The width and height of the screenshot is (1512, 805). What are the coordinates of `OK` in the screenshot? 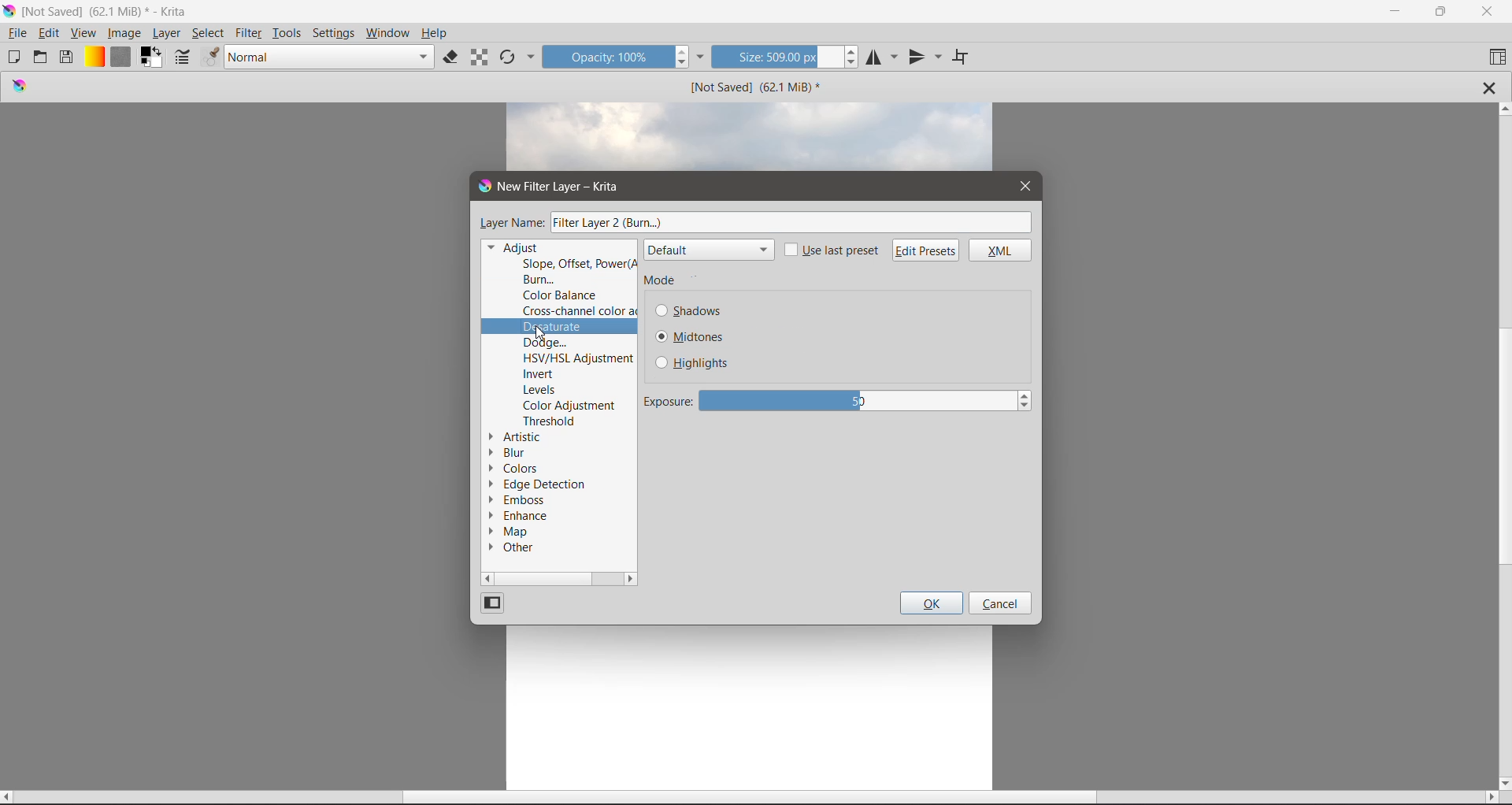 It's located at (930, 603).